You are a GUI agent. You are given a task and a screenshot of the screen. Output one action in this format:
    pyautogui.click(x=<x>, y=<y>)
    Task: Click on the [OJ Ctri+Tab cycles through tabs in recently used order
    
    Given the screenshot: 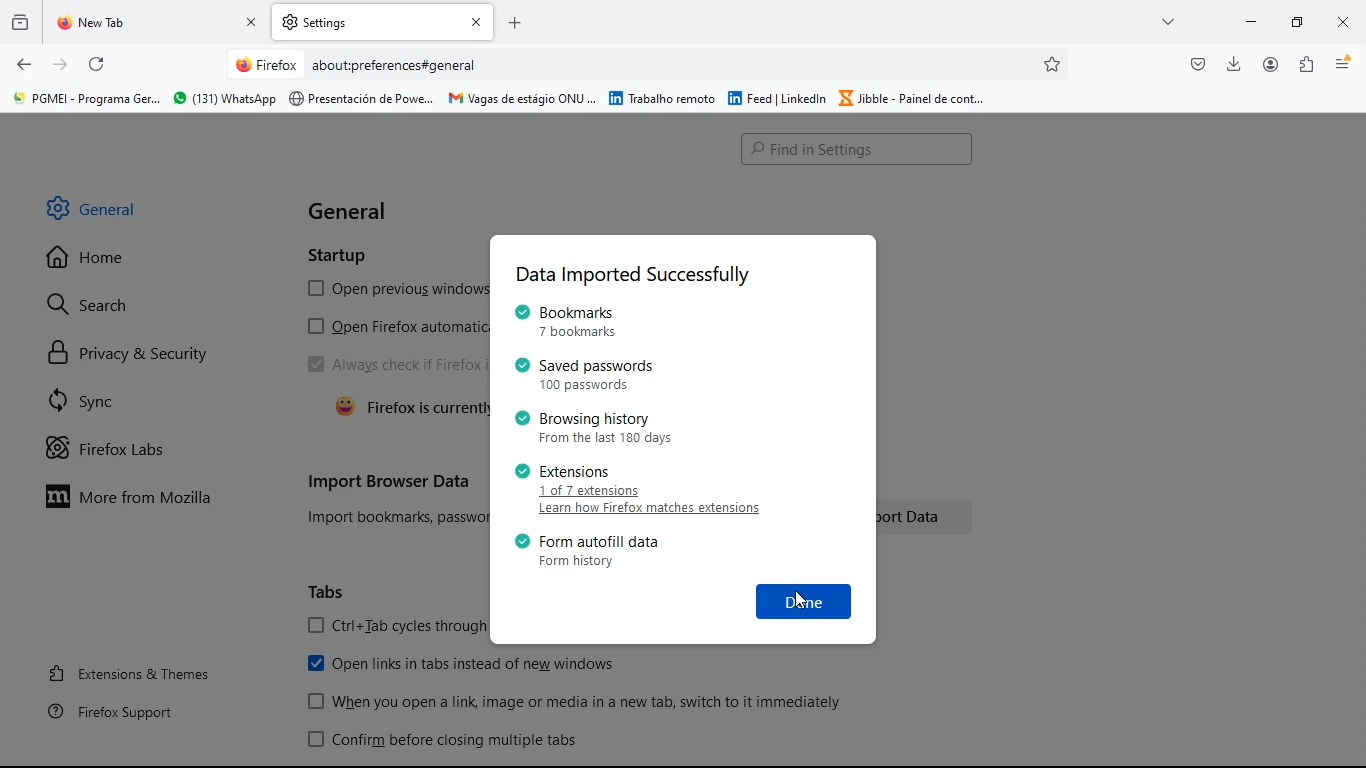 What is the action you would take?
    pyautogui.click(x=397, y=627)
    